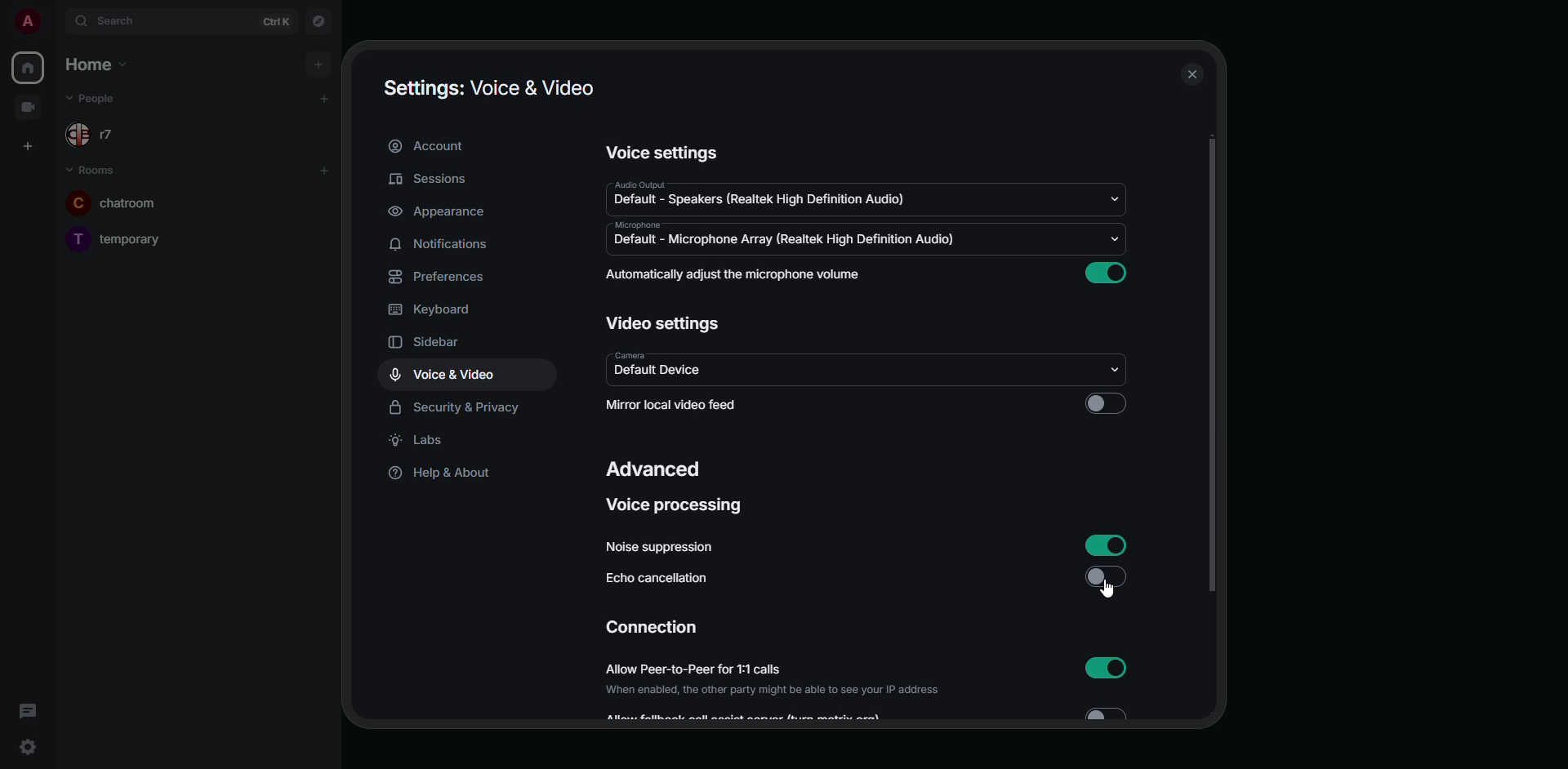  I want to click on appearance, so click(439, 213).